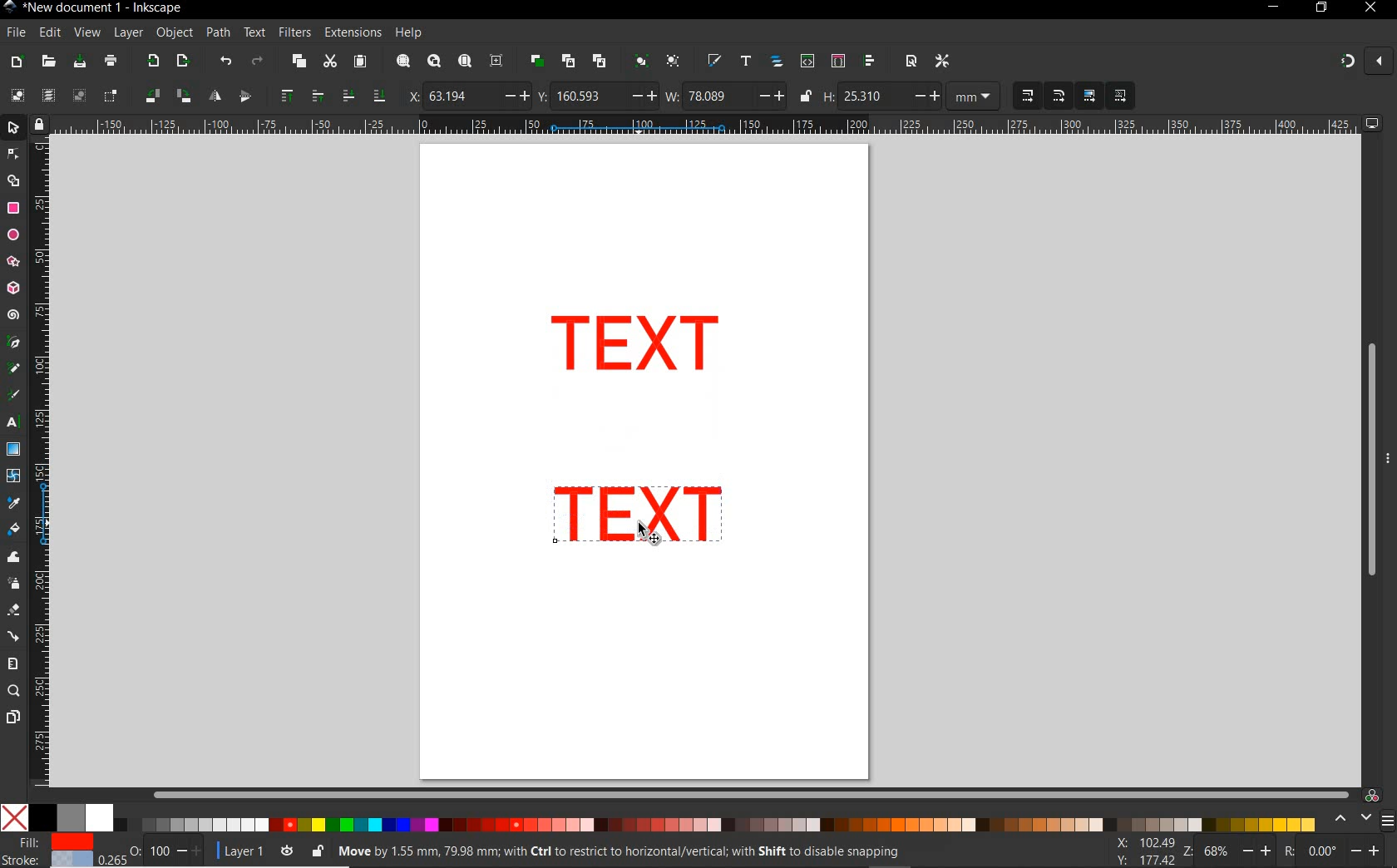  Describe the element at coordinates (707, 126) in the screenshot. I see `ruler` at that location.